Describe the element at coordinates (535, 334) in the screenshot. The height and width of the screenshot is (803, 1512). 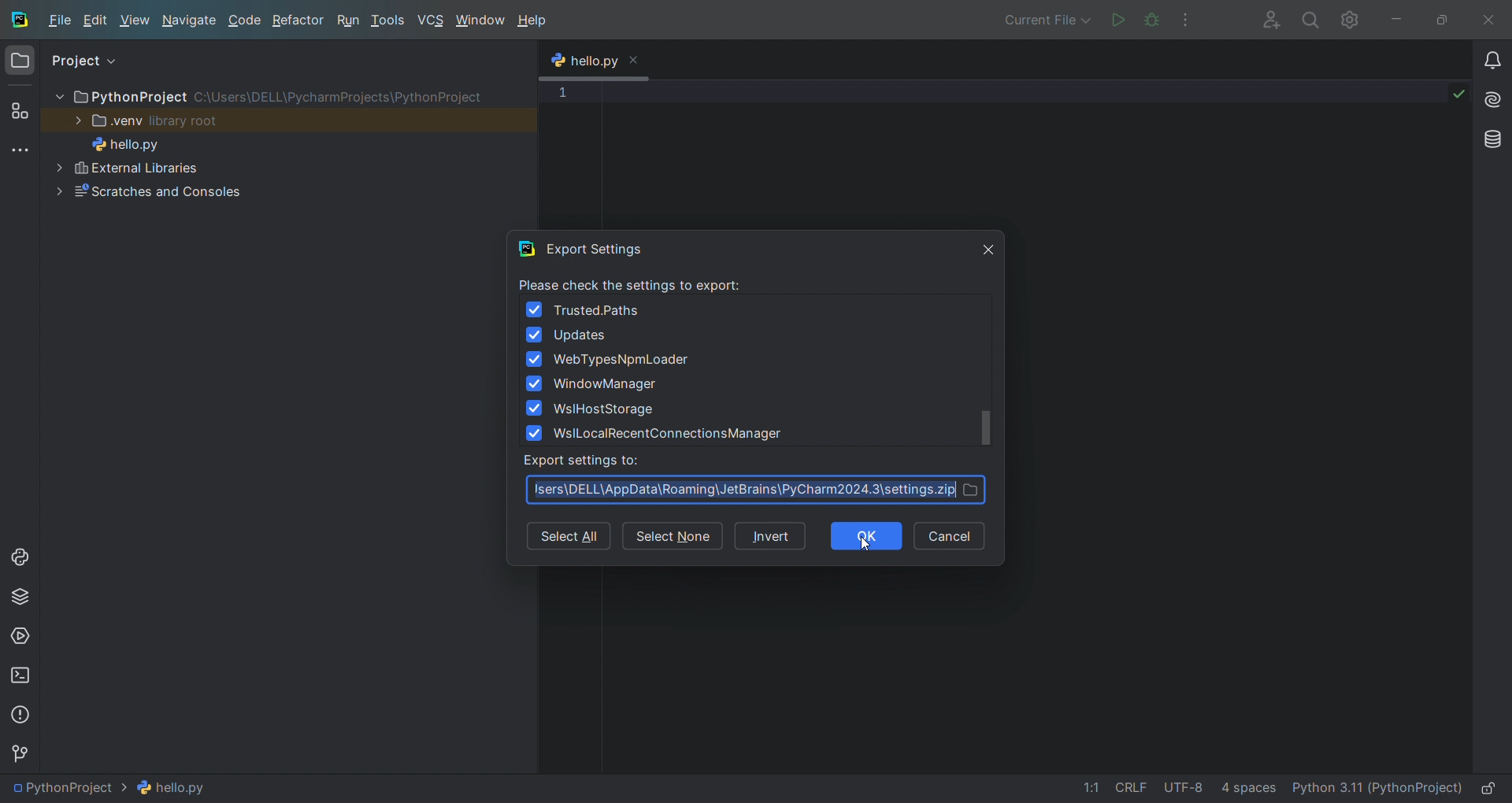
I see `Checked box` at that location.